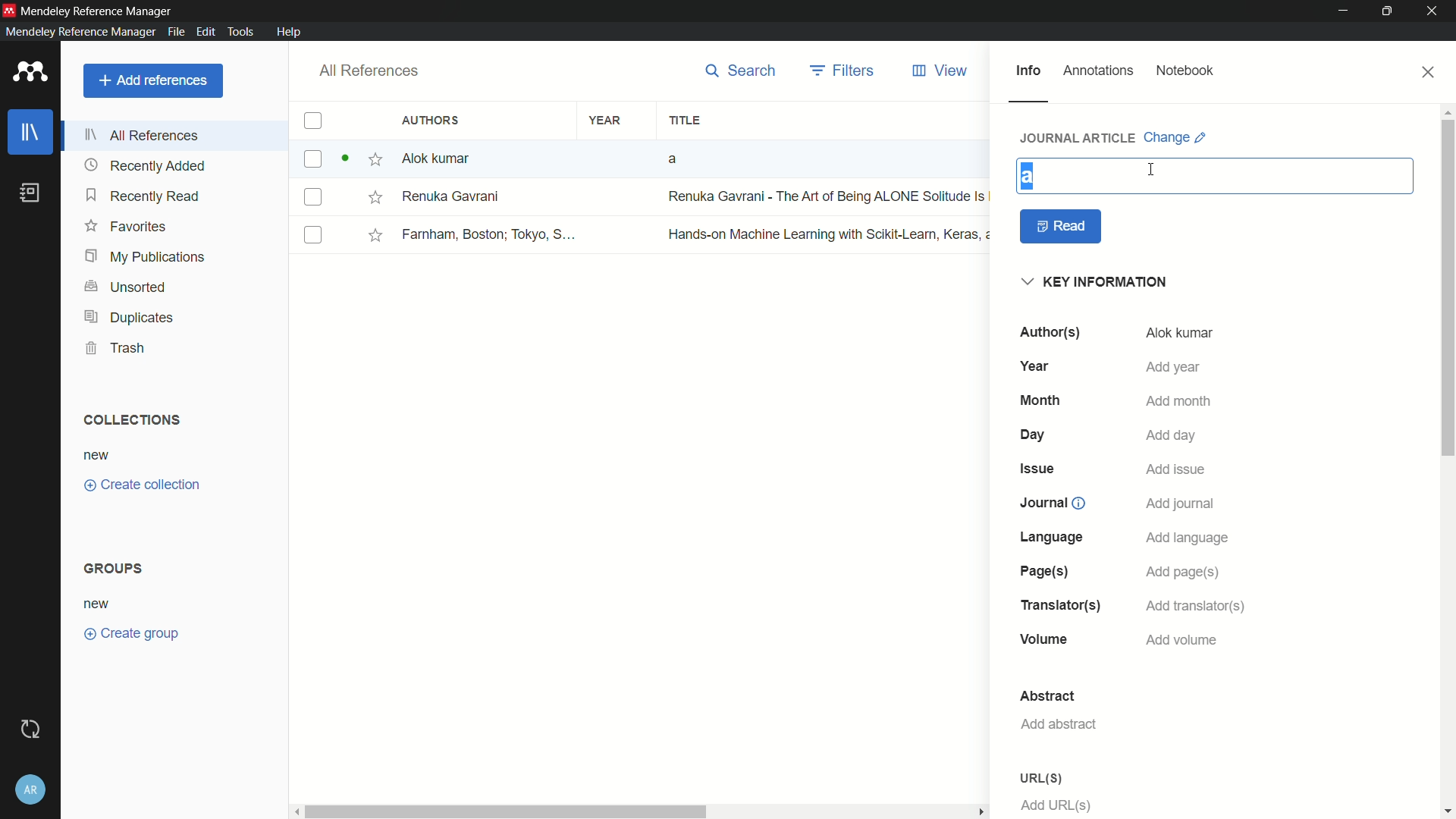 The image size is (1456, 819). What do you see at coordinates (1041, 572) in the screenshot?
I see `page` at bounding box center [1041, 572].